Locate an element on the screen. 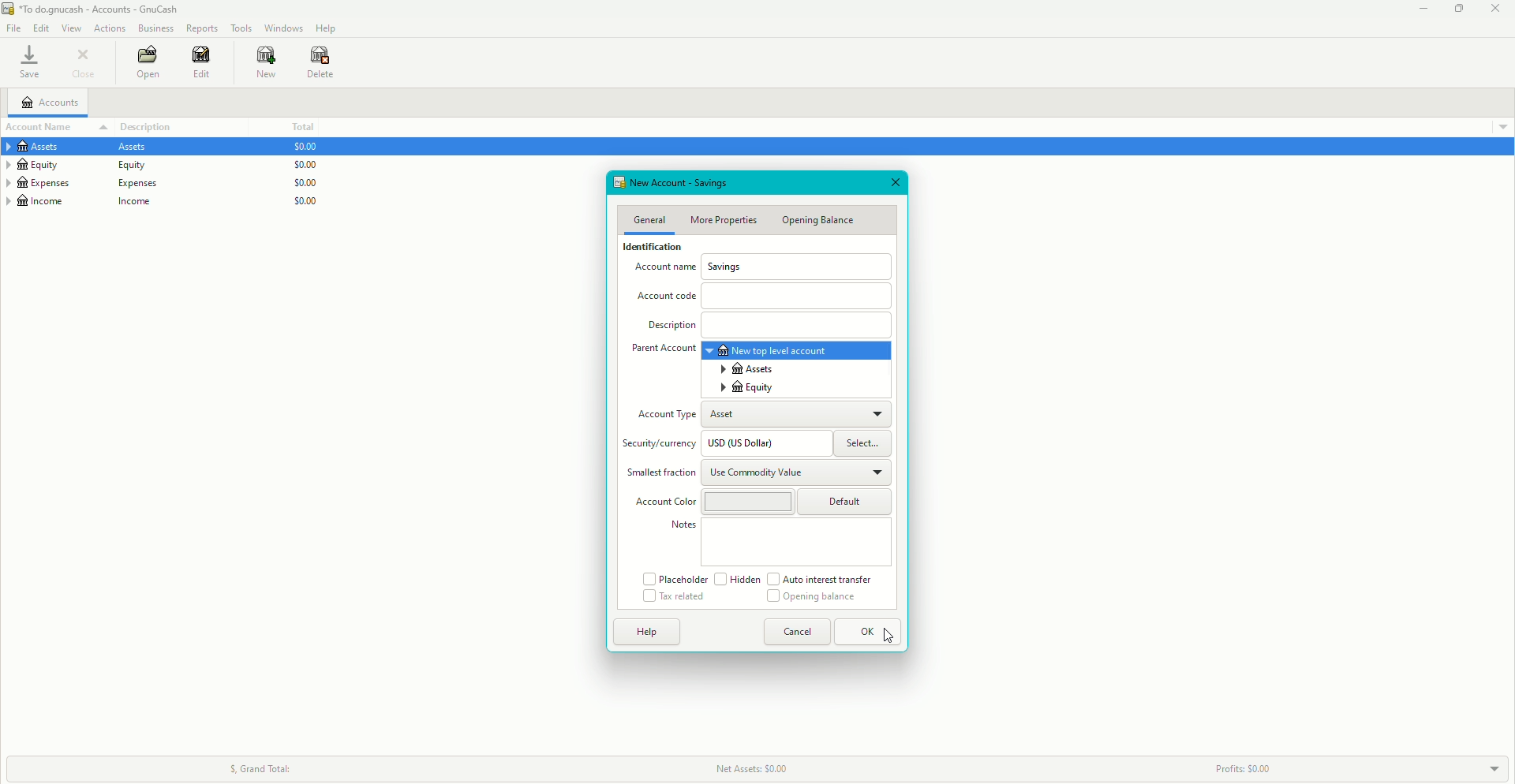 The height and width of the screenshot is (784, 1515). Close is located at coordinates (1495, 9).